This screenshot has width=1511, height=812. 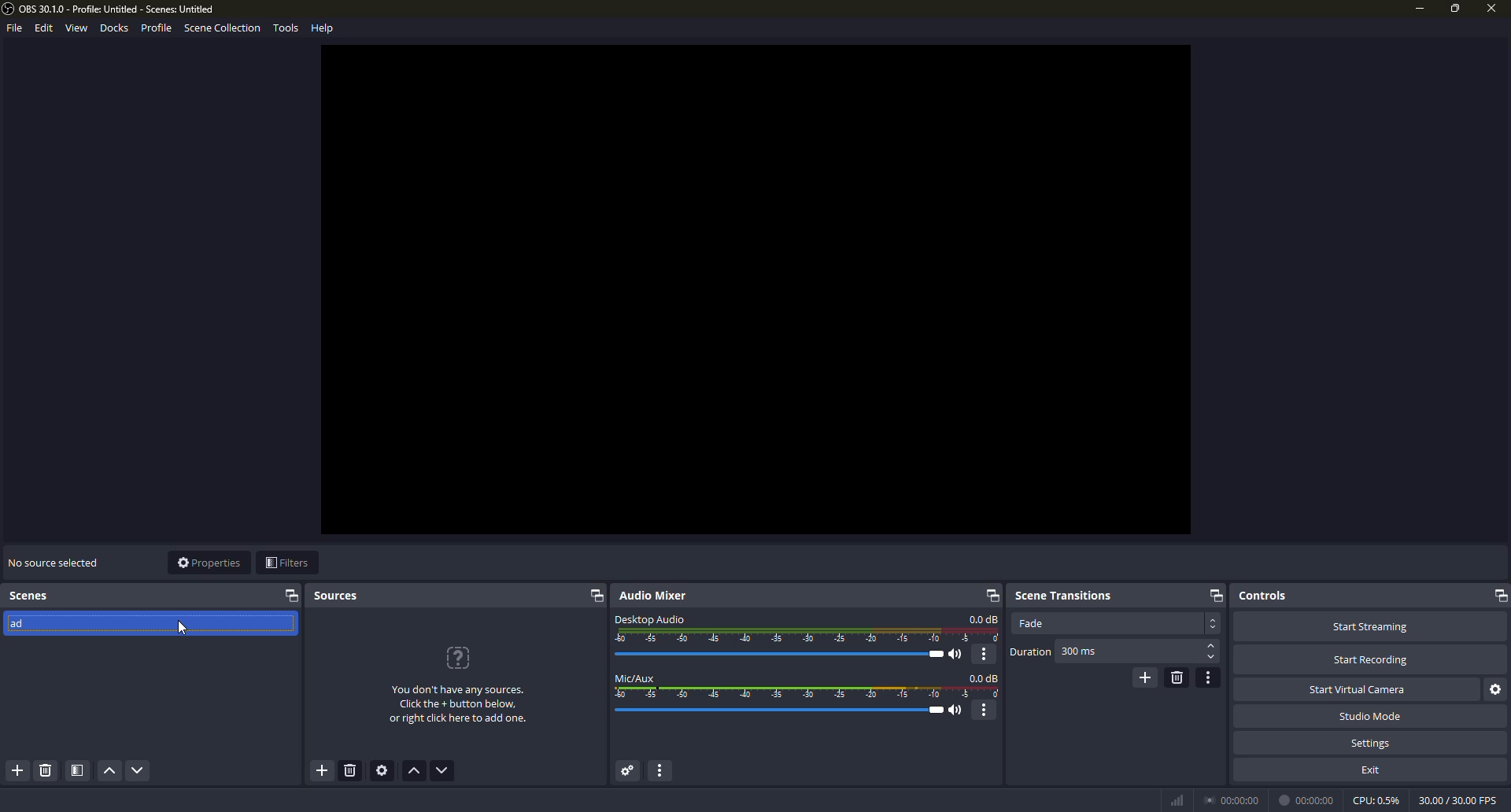 I want to click on settings, so click(x=1372, y=743).